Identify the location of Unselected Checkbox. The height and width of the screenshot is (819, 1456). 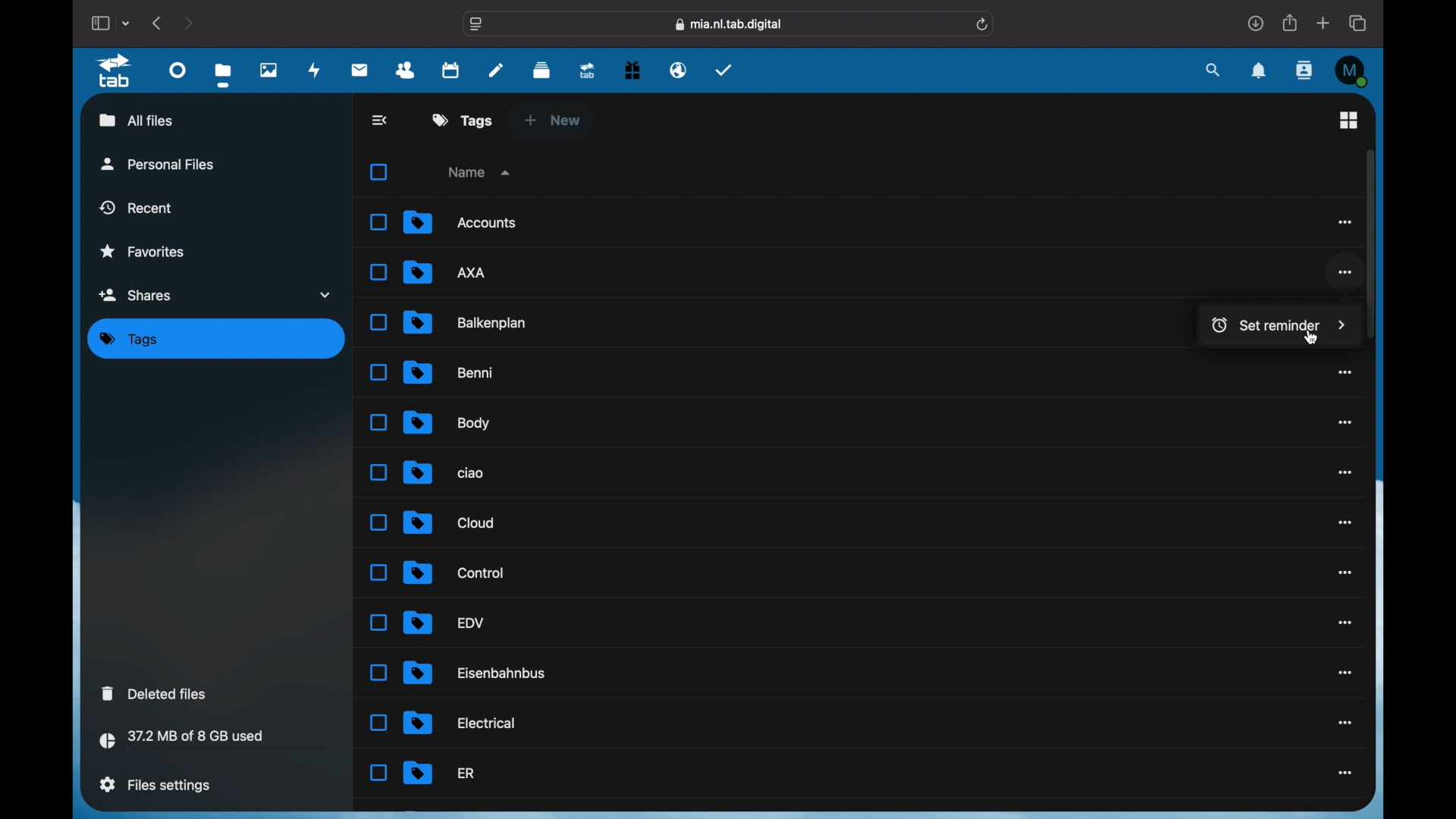
(377, 422).